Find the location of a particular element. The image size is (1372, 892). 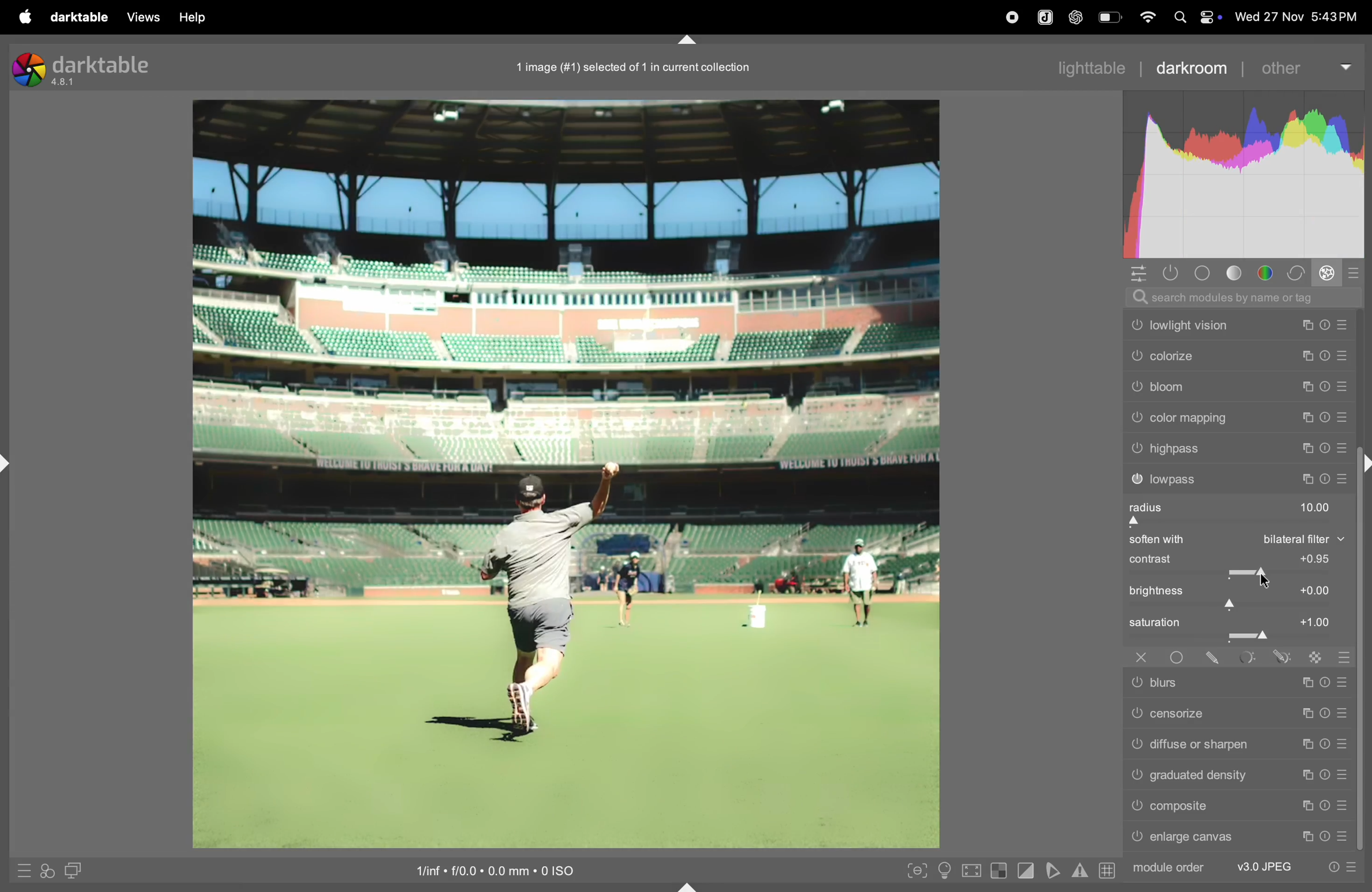

1 image is located at coordinates (634, 67).